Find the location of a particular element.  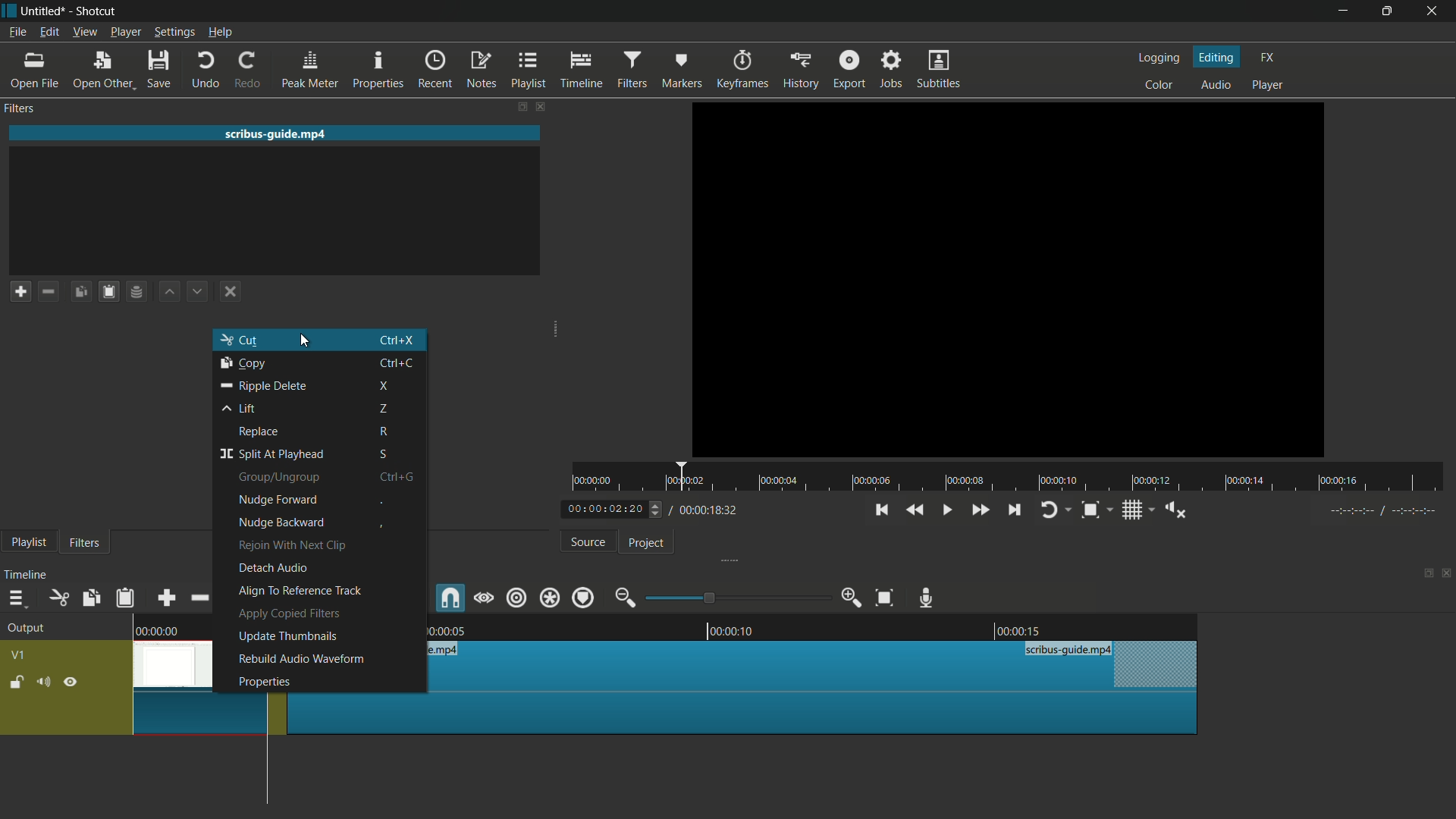

remove a filter is located at coordinates (49, 291).